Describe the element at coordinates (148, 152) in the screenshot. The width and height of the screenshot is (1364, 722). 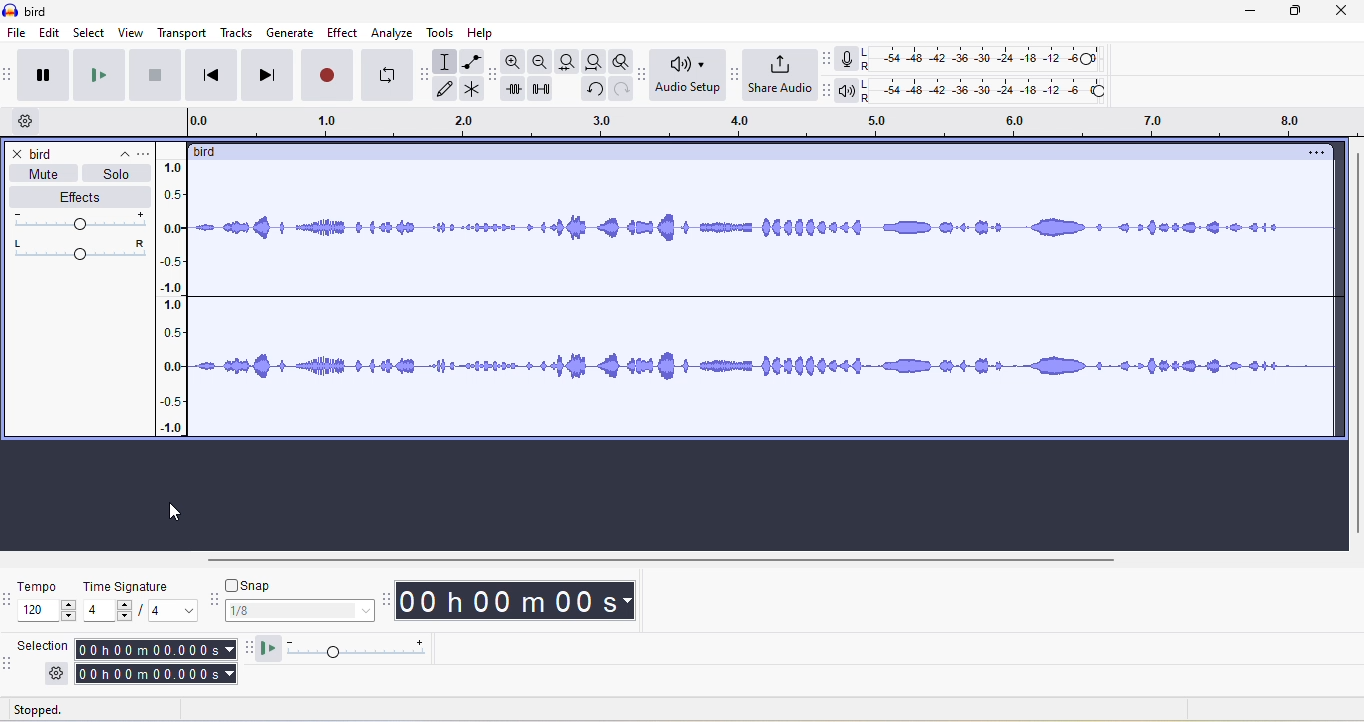
I see `open menu` at that location.